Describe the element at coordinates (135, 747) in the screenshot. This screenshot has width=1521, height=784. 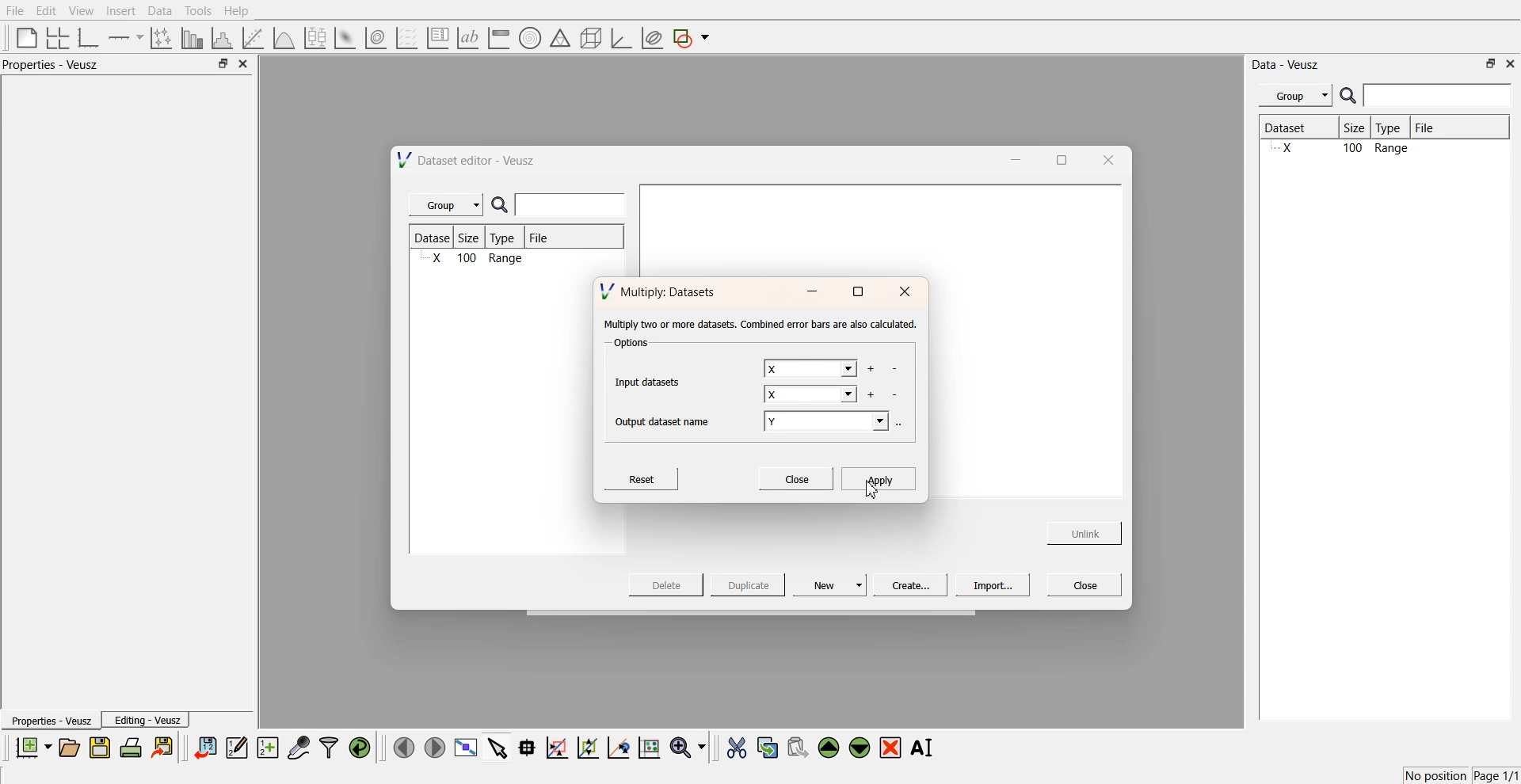
I see `print` at that location.